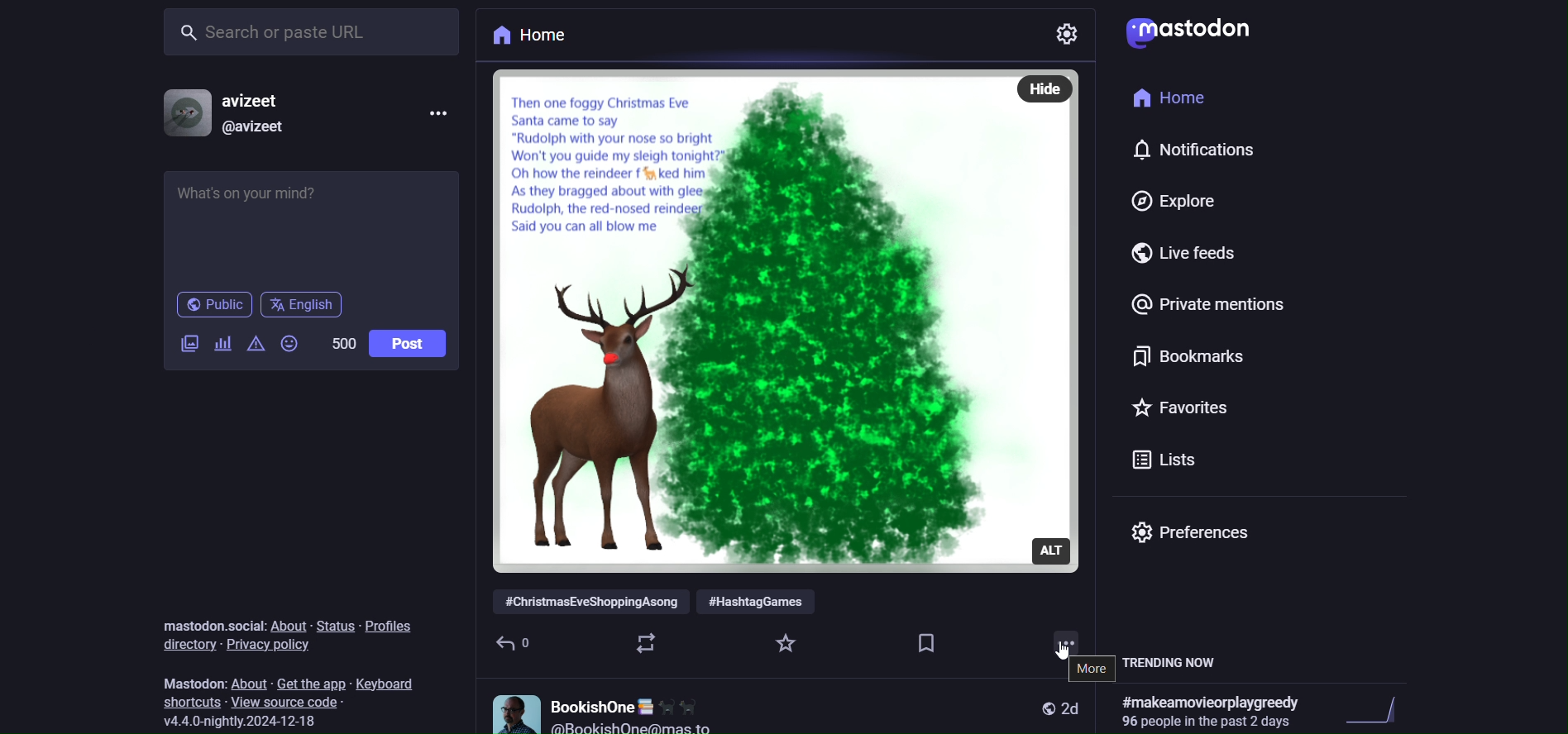 Image resolution: width=1568 pixels, height=734 pixels. What do you see at coordinates (190, 113) in the screenshot?
I see `profile picture` at bounding box center [190, 113].